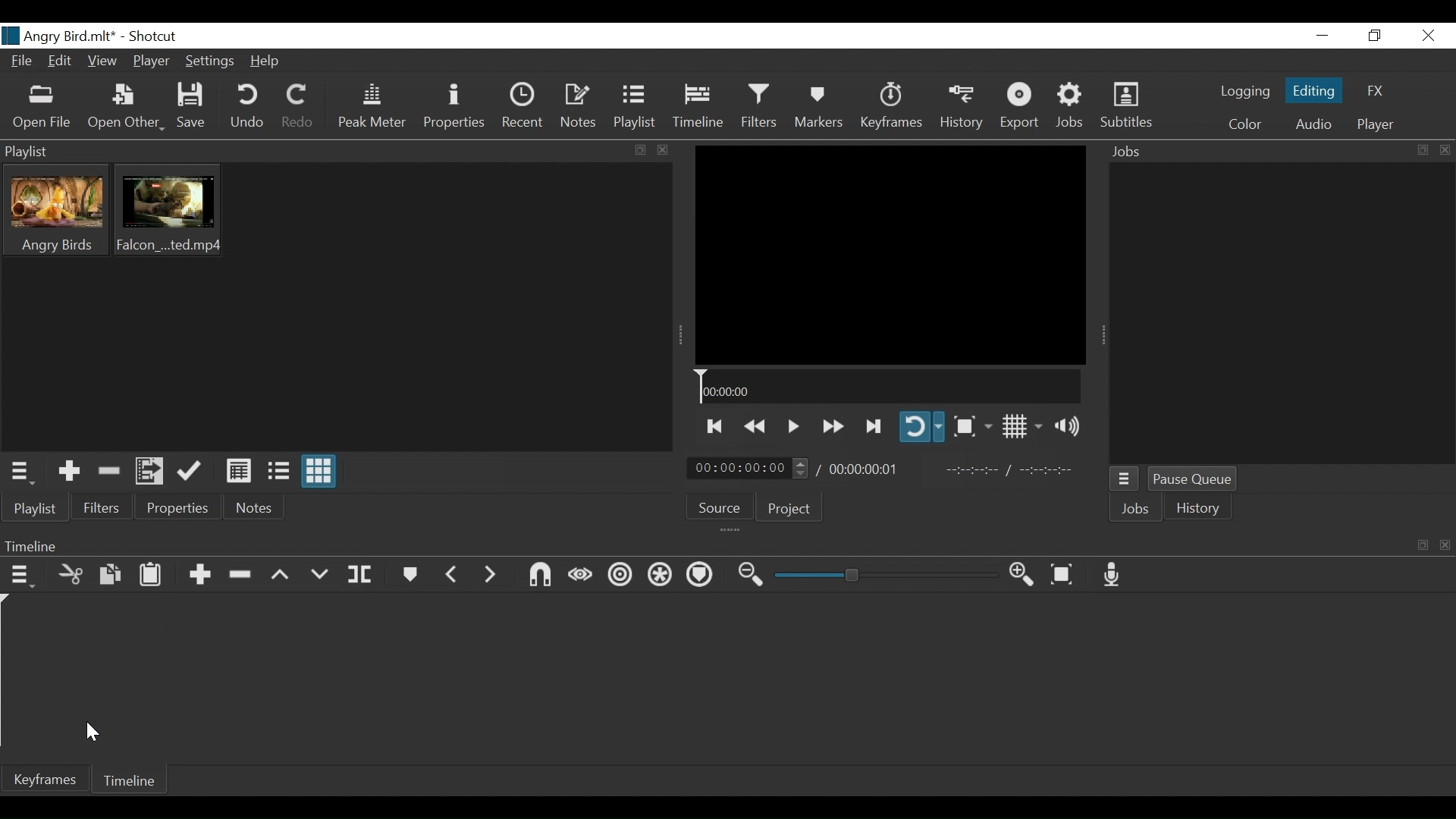  I want to click on Media Viewer, so click(890, 255).